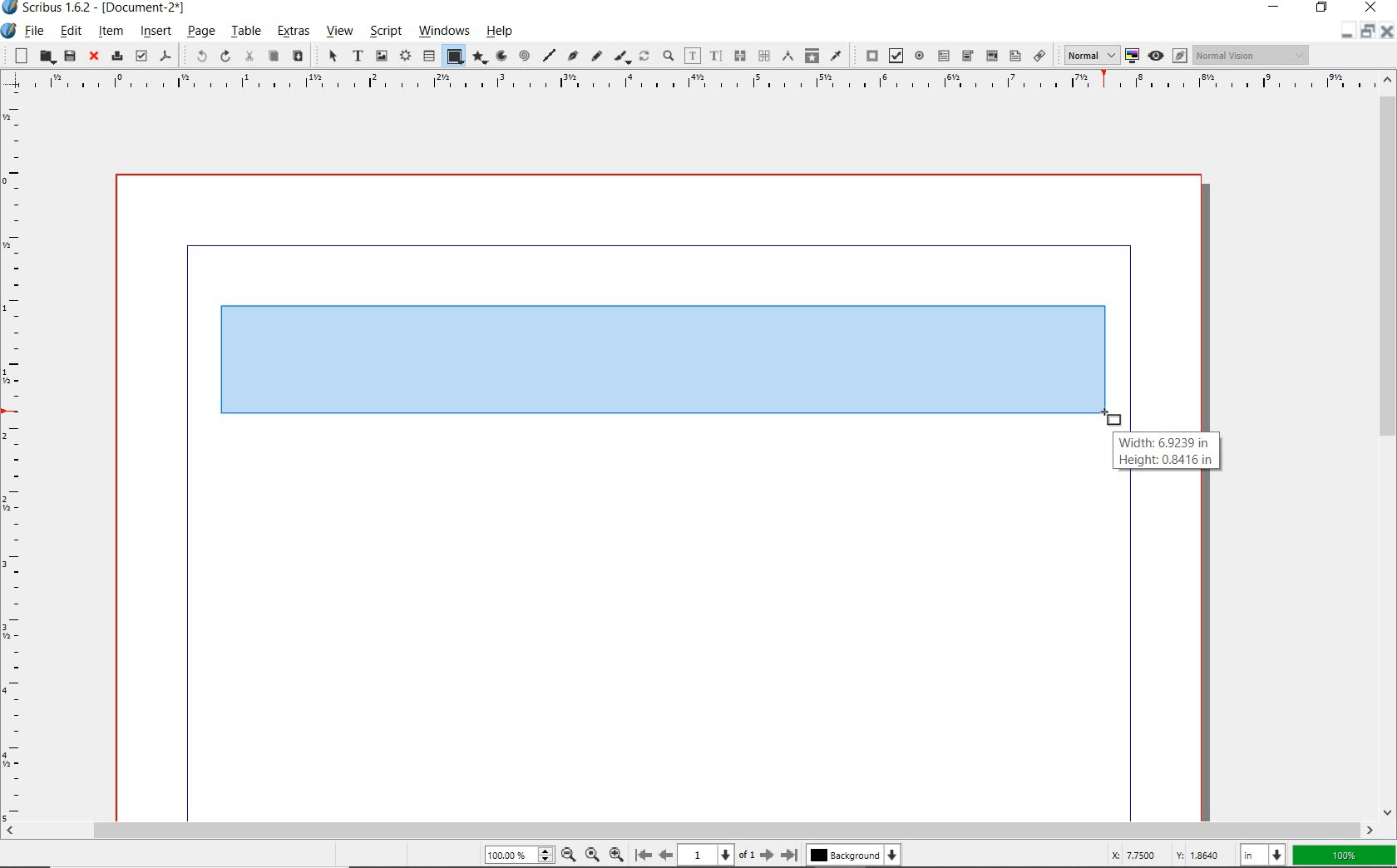 The image size is (1397, 868). What do you see at coordinates (166, 57) in the screenshot?
I see `save as pdf` at bounding box center [166, 57].